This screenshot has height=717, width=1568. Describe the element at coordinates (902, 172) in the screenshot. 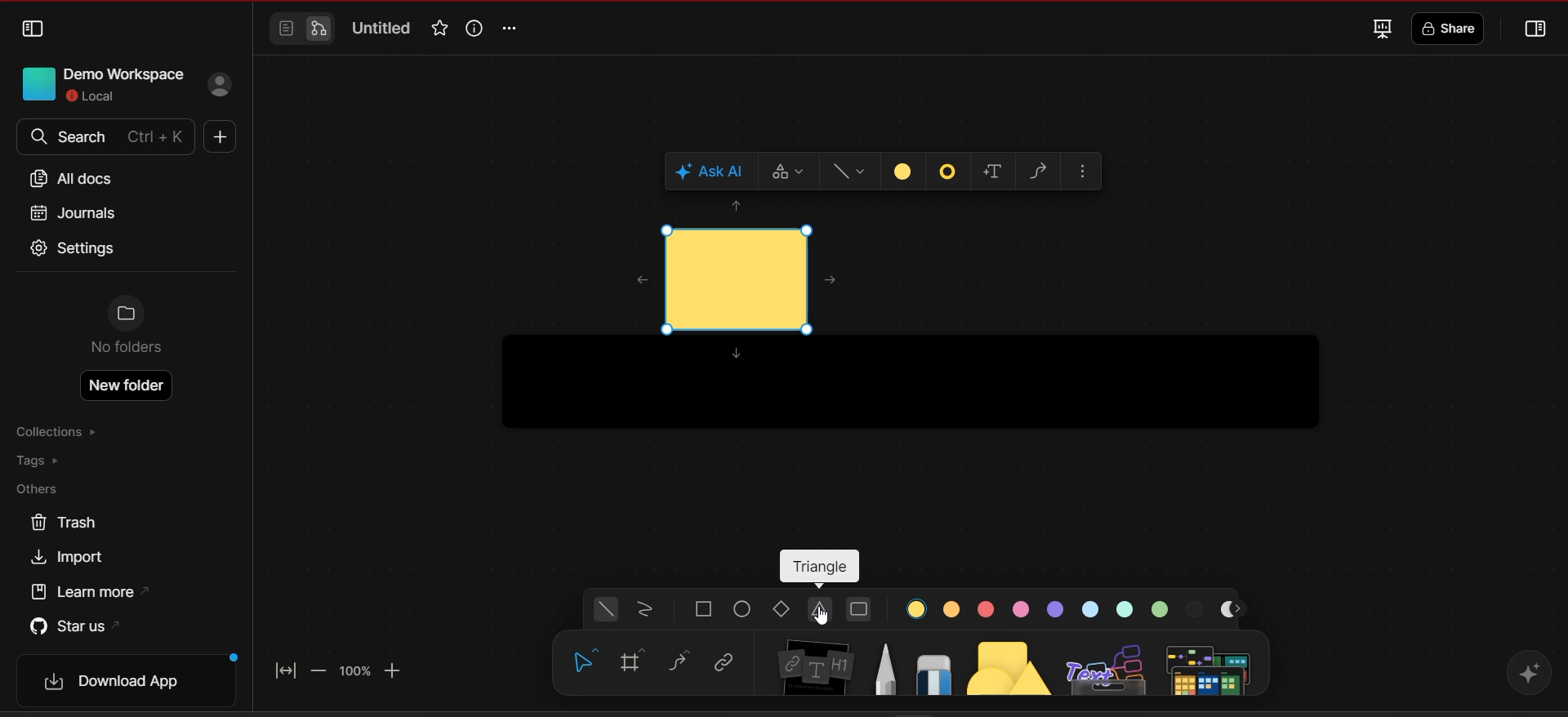

I see `fill color` at that location.